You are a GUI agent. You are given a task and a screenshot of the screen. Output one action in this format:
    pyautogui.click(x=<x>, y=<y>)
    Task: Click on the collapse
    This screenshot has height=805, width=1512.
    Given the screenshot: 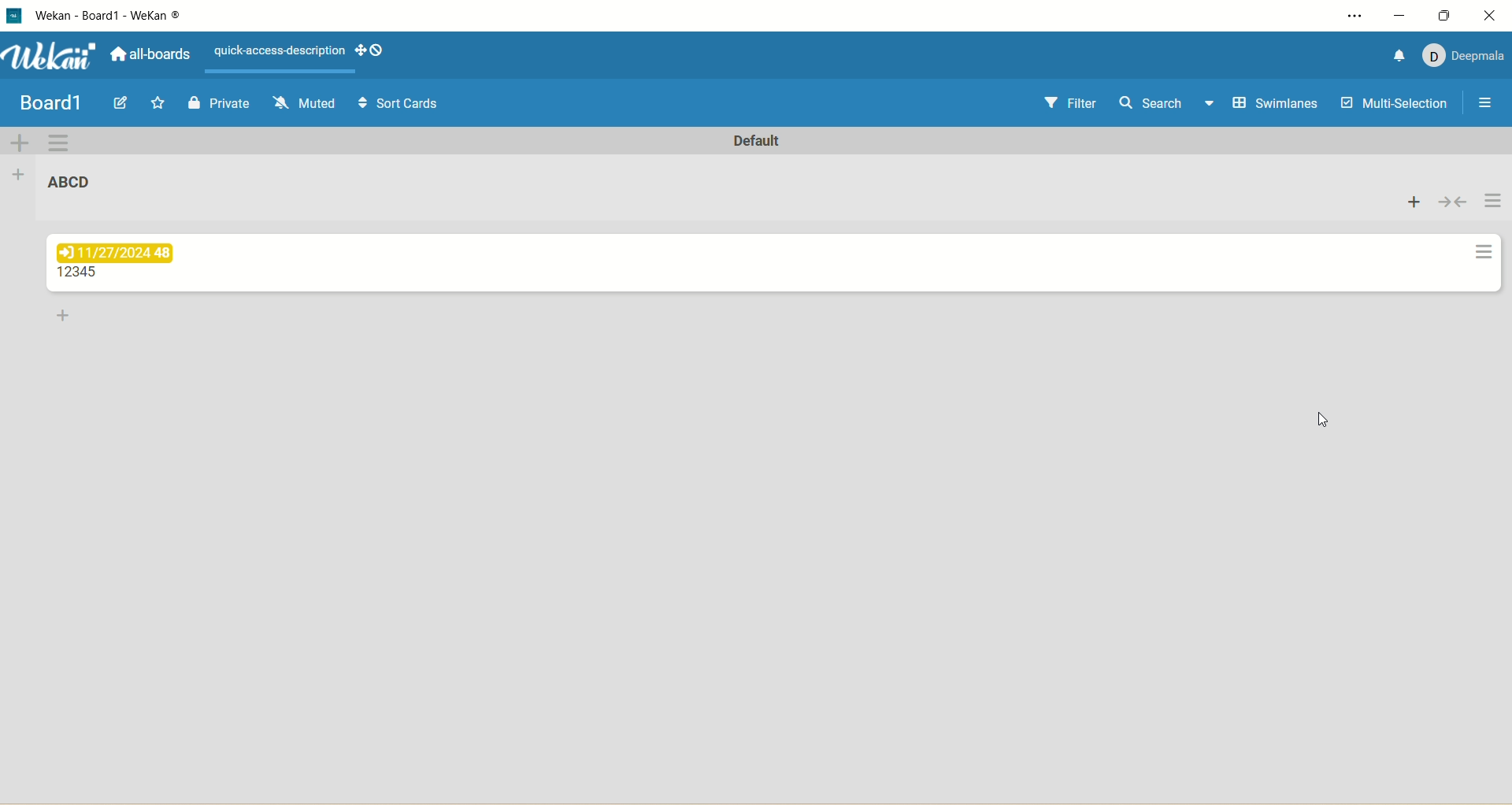 What is the action you would take?
    pyautogui.click(x=1454, y=202)
    